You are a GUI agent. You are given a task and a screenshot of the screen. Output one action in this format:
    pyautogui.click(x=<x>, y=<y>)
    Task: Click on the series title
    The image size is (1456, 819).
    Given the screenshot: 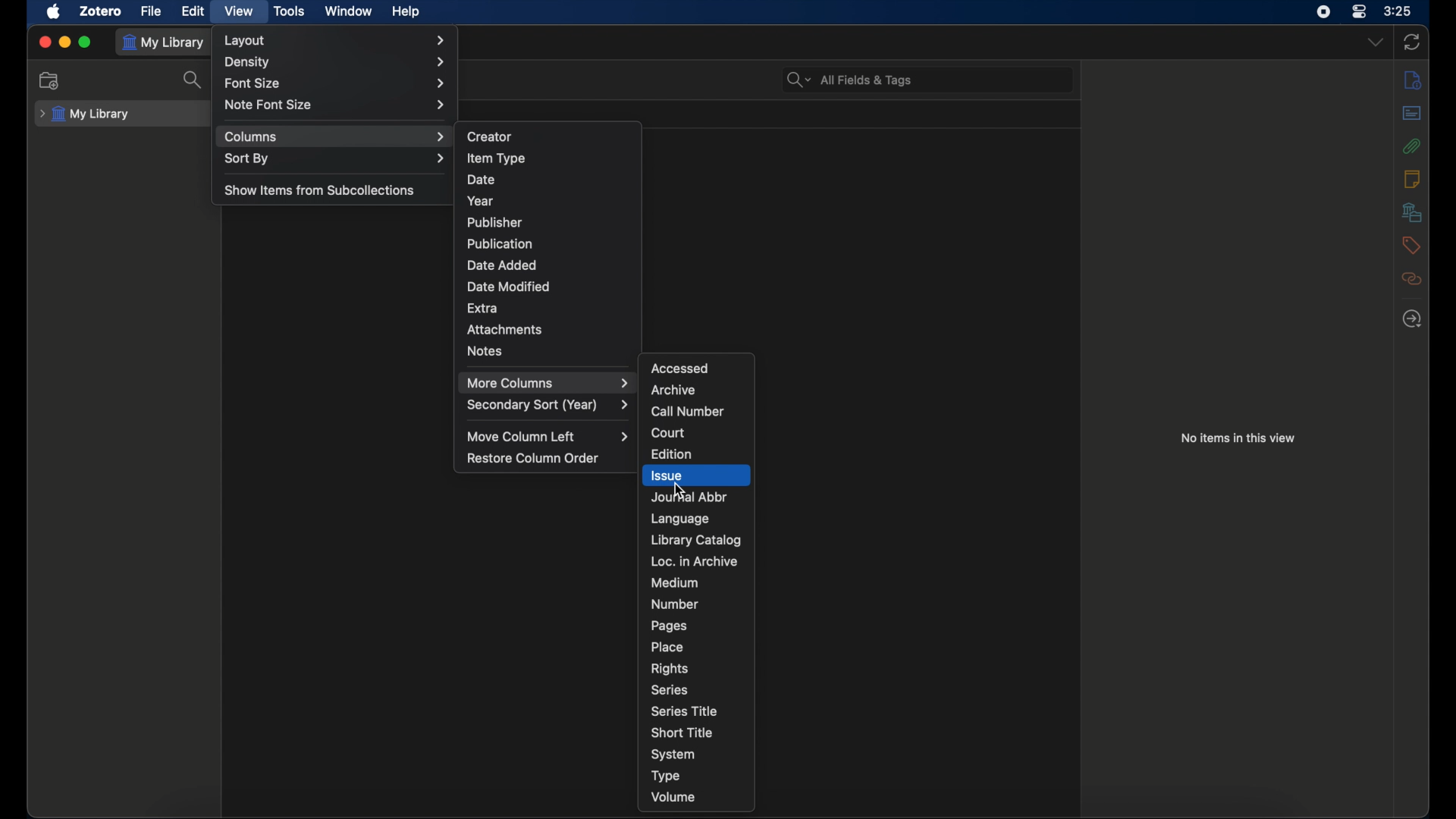 What is the action you would take?
    pyautogui.click(x=684, y=711)
    